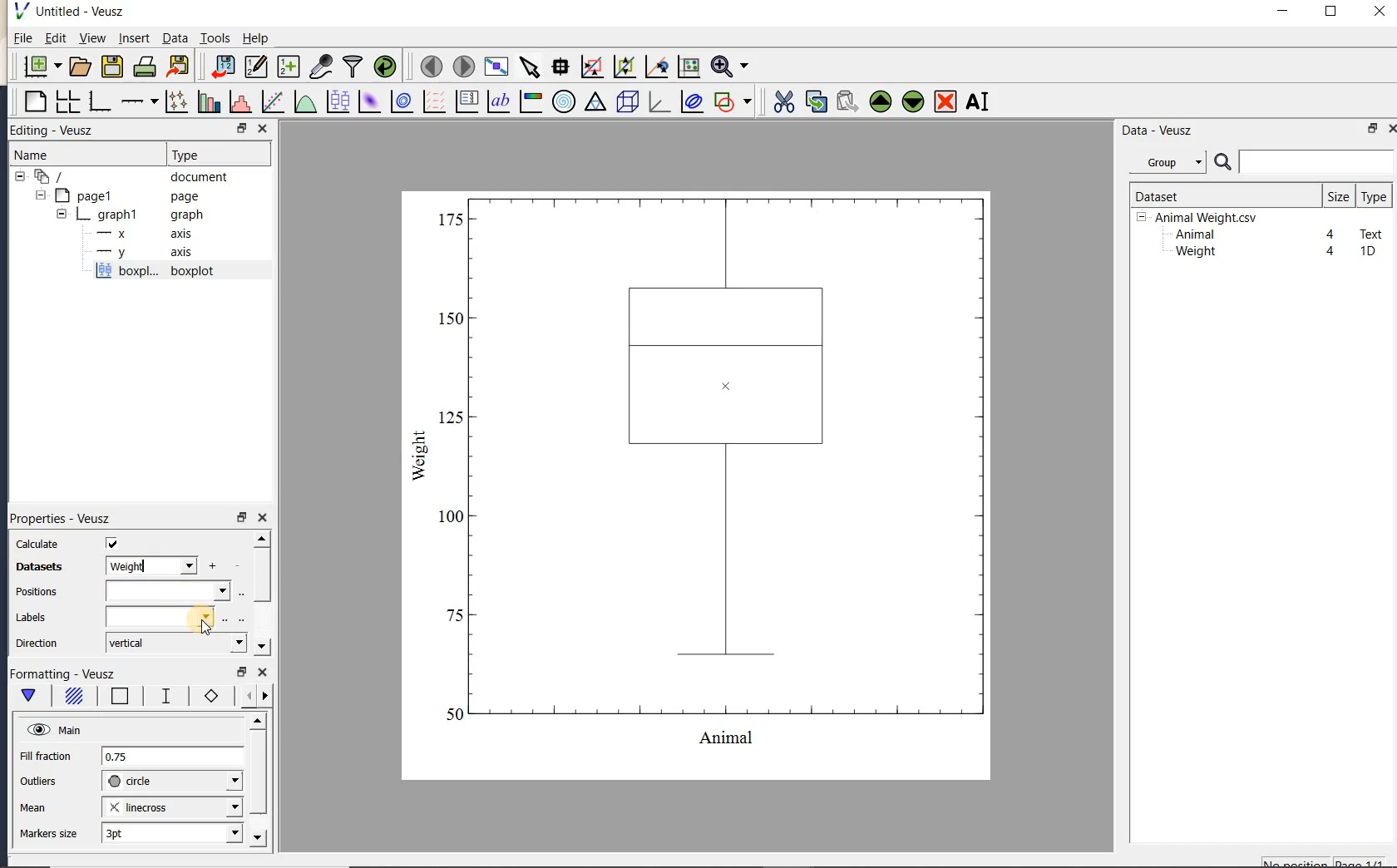 Image resolution: width=1397 pixels, height=868 pixels. Describe the element at coordinates (729, 67) in the screenshot. I see `zoom function menus` at that location.